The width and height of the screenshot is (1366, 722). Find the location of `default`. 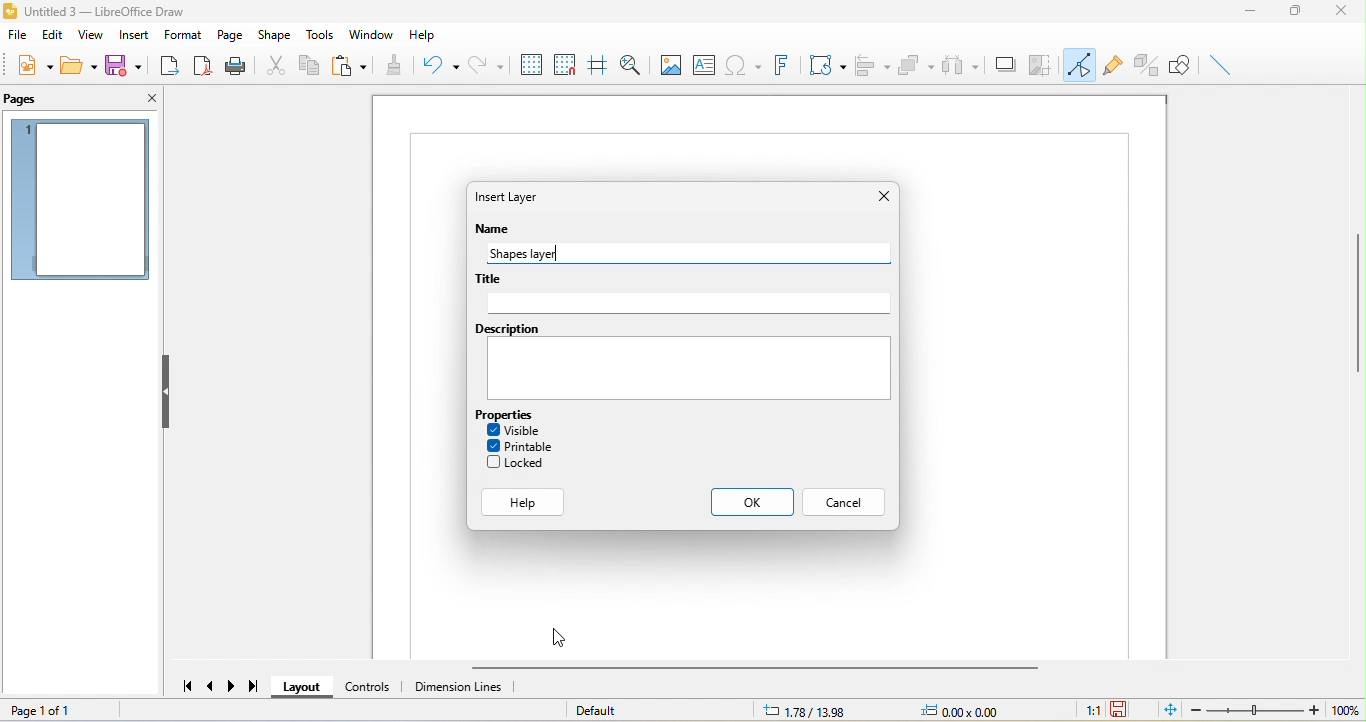

default is located at coordinates (622, 710).